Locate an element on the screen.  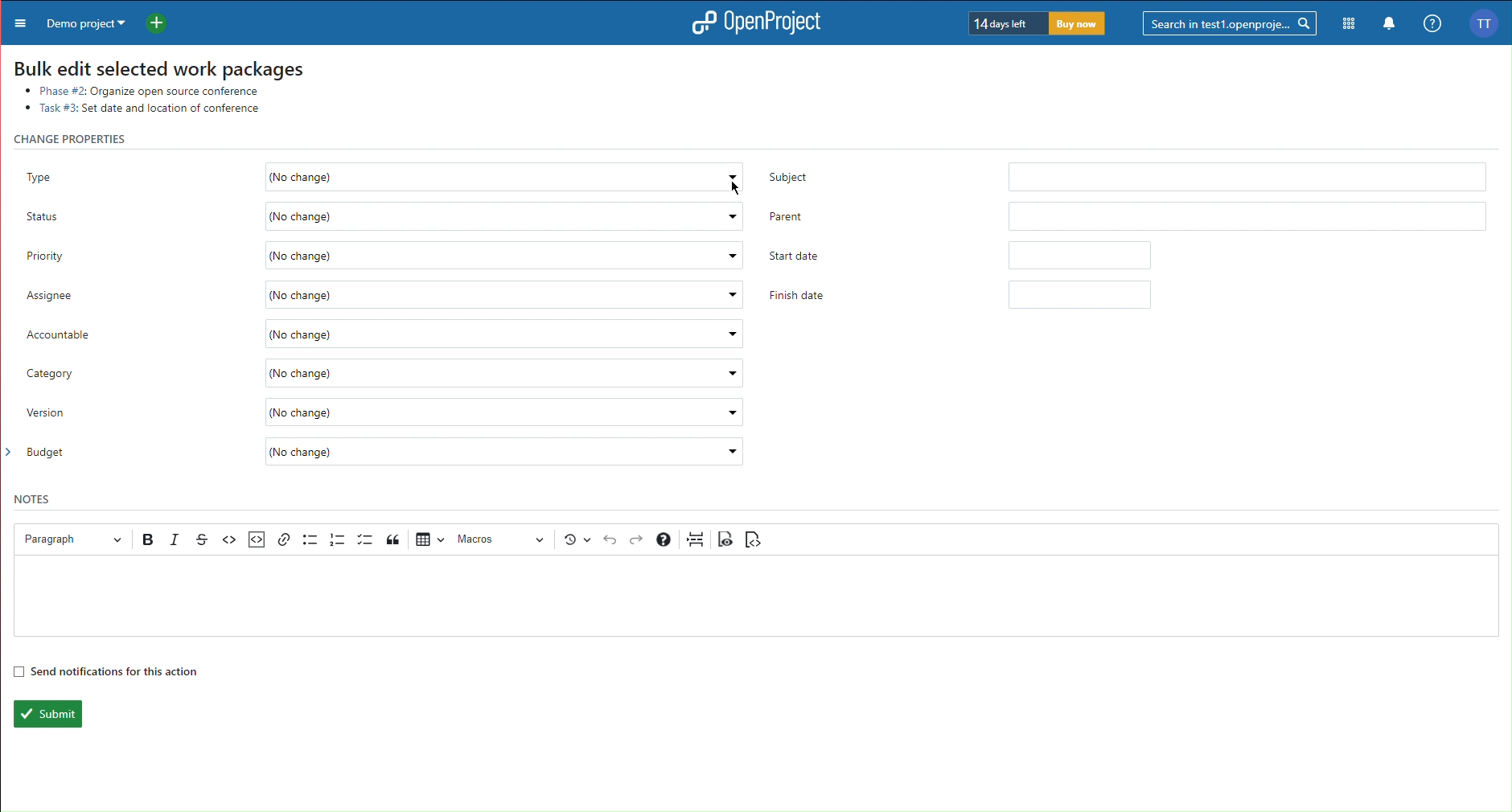
Modules is located at coordinates (1350, 24).